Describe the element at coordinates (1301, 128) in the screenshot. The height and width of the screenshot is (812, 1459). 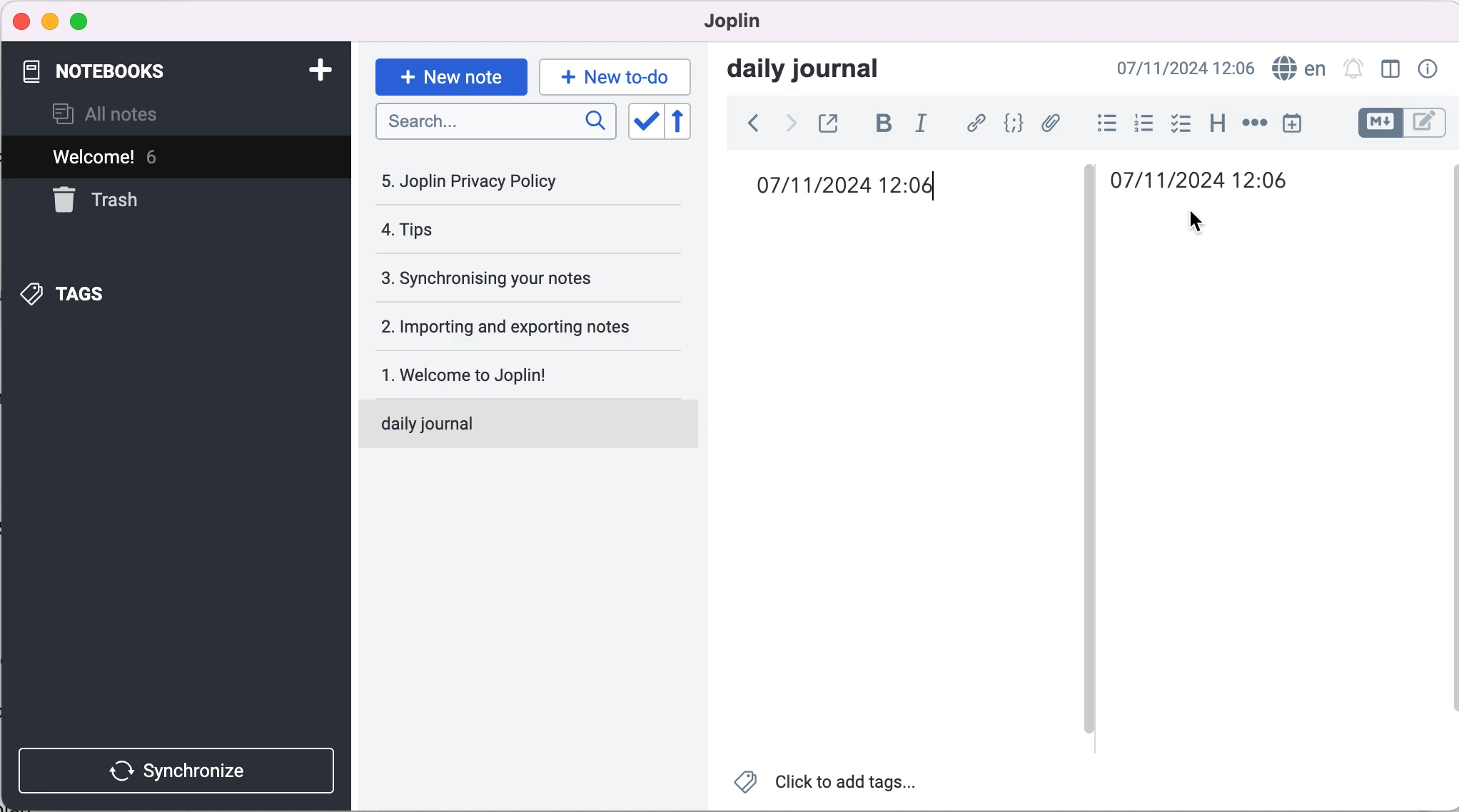
I see `insert time` at that location.